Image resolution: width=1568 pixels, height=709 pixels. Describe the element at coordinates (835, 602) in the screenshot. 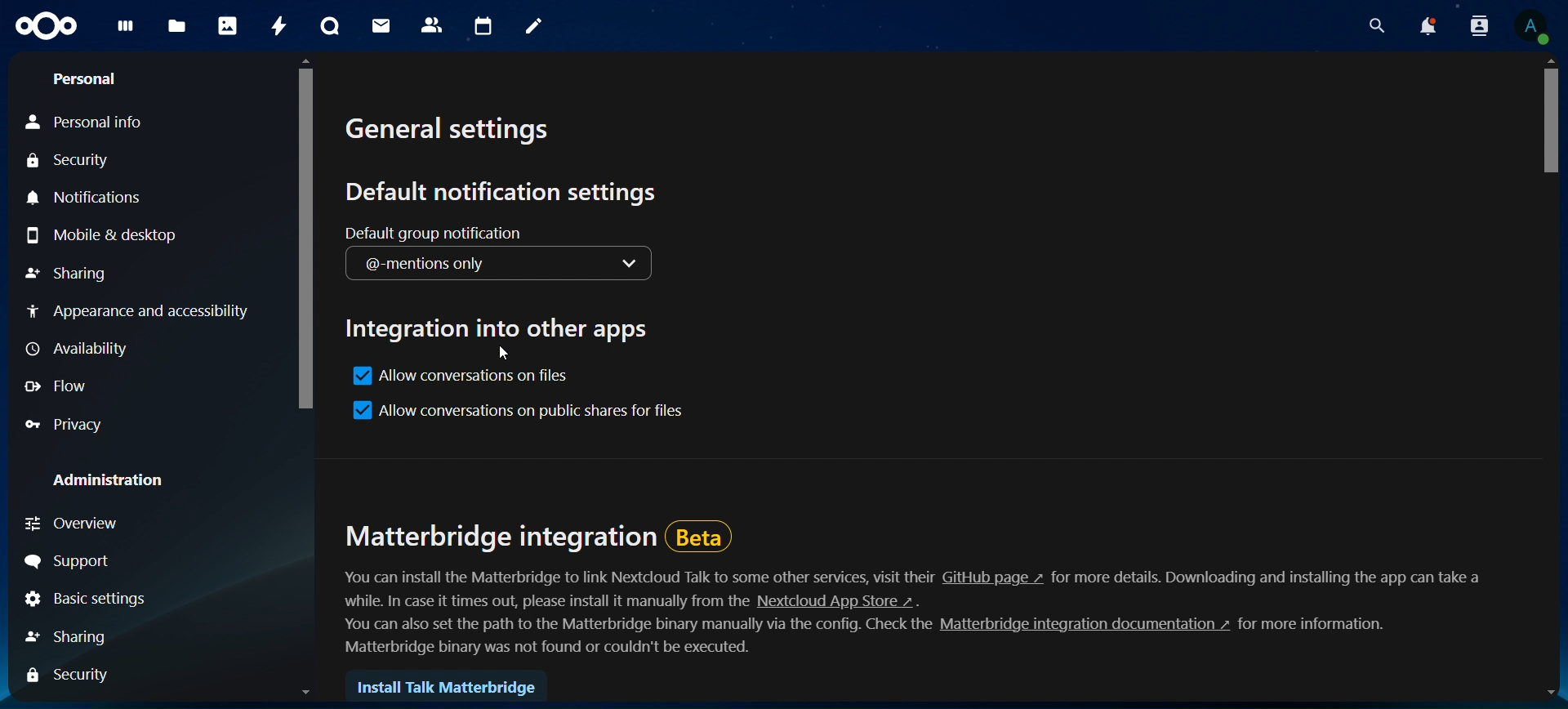

I see `hyperlink` at that location.